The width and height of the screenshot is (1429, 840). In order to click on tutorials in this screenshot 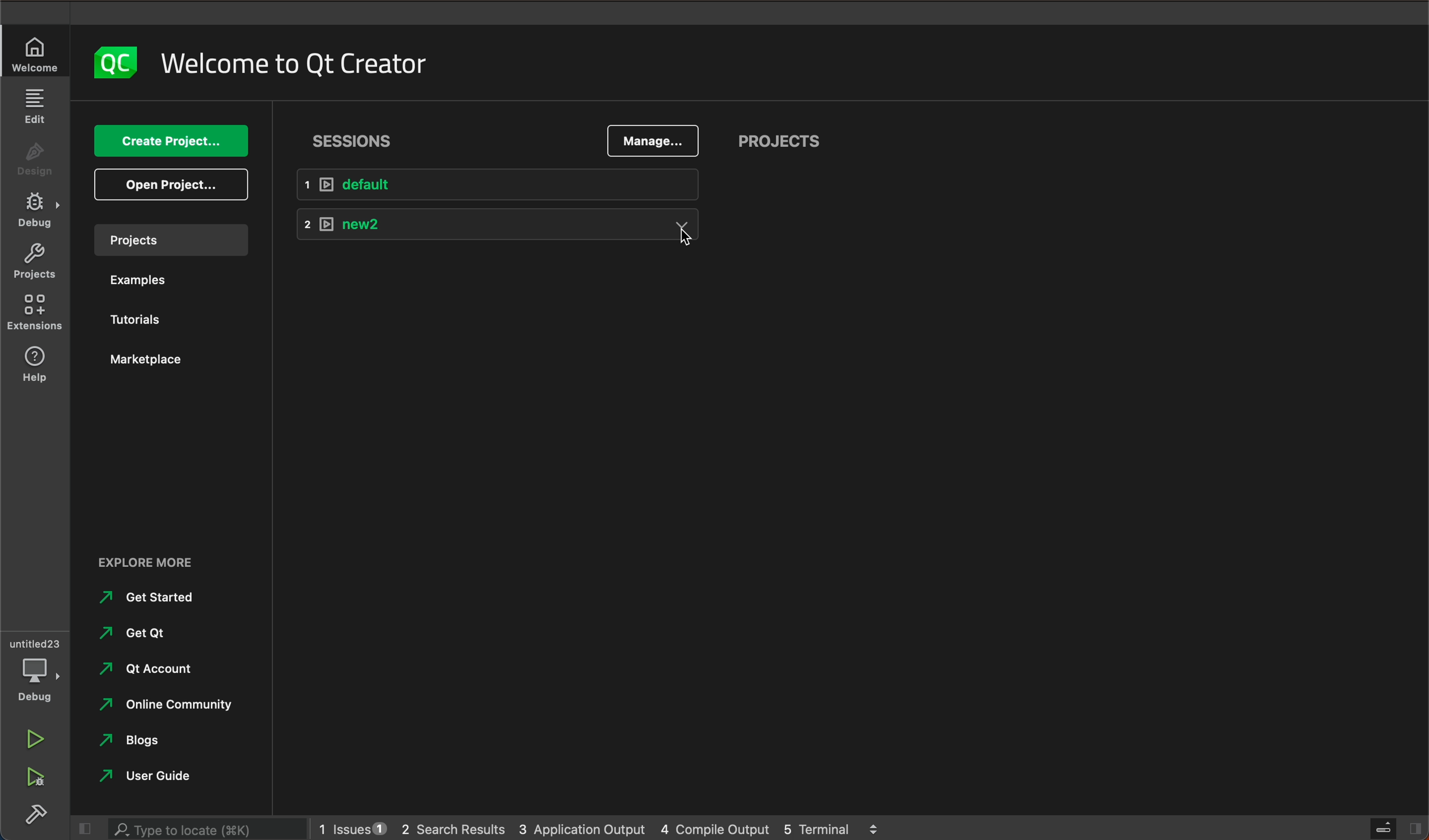, I will do `click(132, 315)`.